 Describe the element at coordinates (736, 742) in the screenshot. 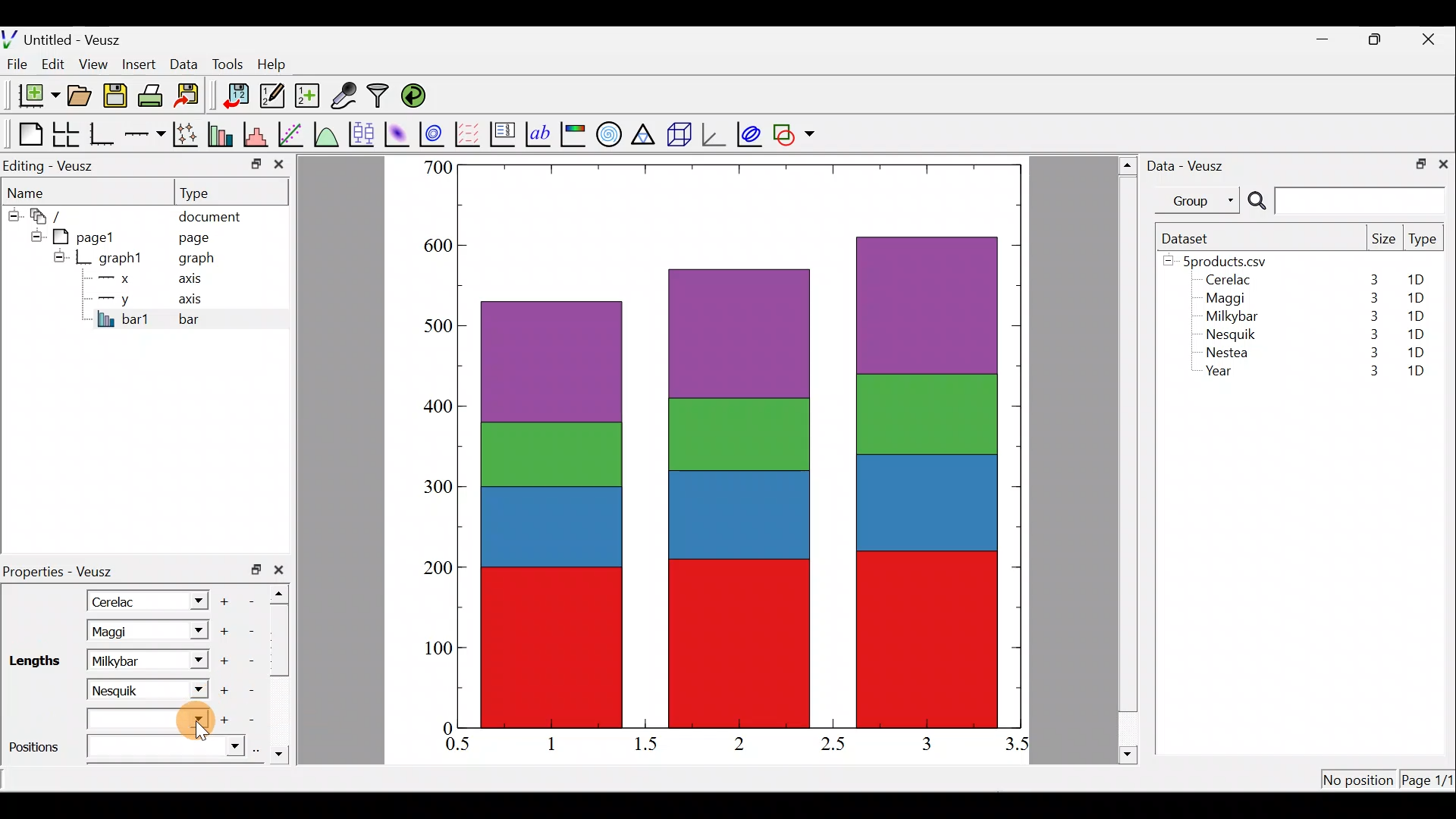

I see `2` at that location.